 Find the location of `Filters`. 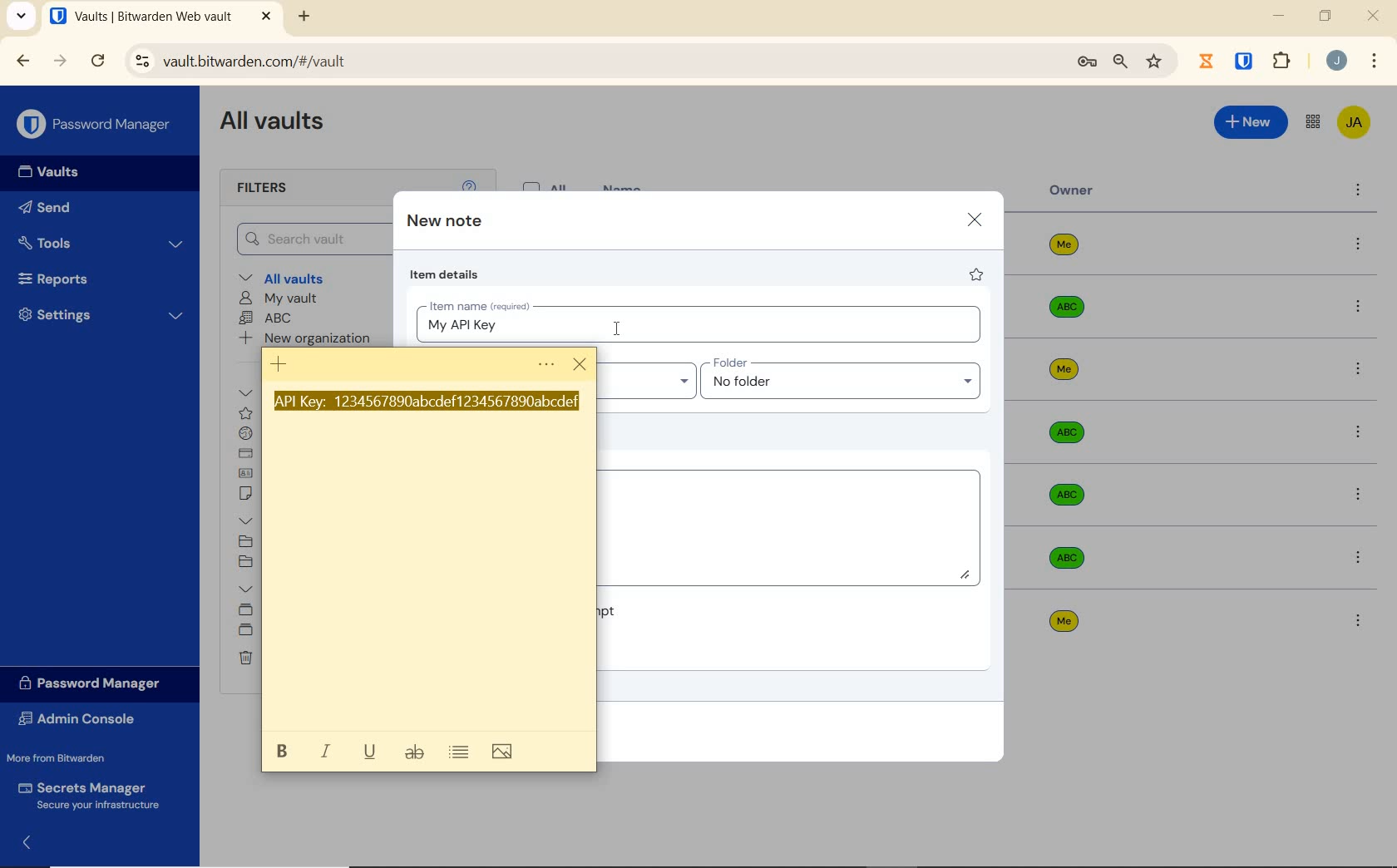

Filters is located at coordinates (265, 189).